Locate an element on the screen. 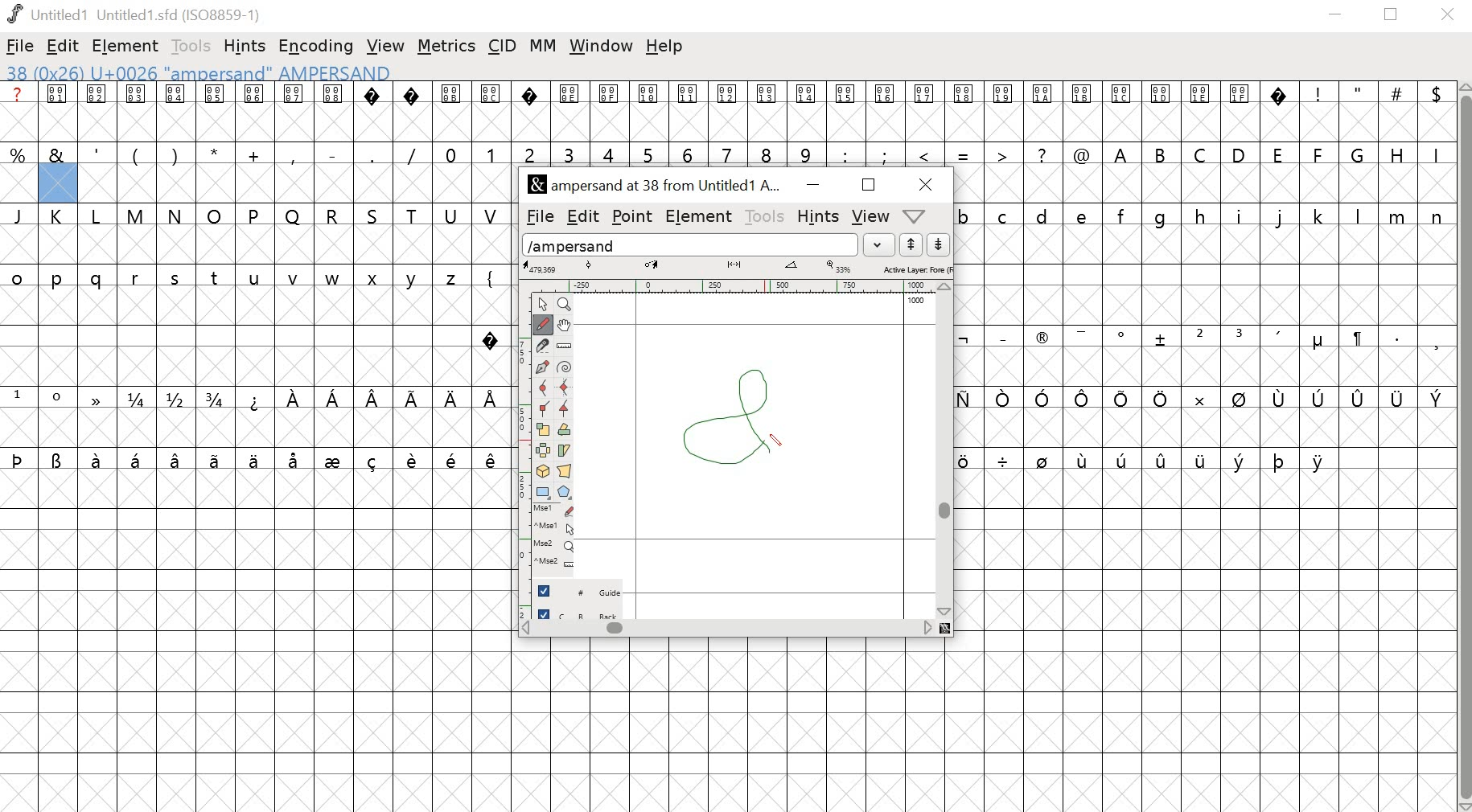  H is located at coordinates (1397, 153).